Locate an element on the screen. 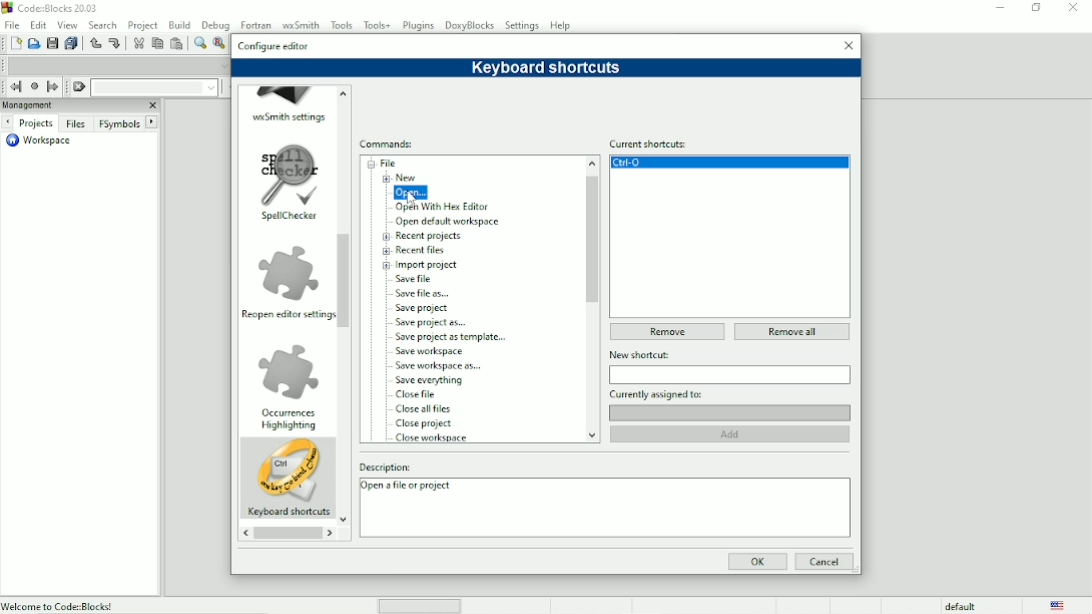  Vertical scrollbar is located at coordinates (592, 239).